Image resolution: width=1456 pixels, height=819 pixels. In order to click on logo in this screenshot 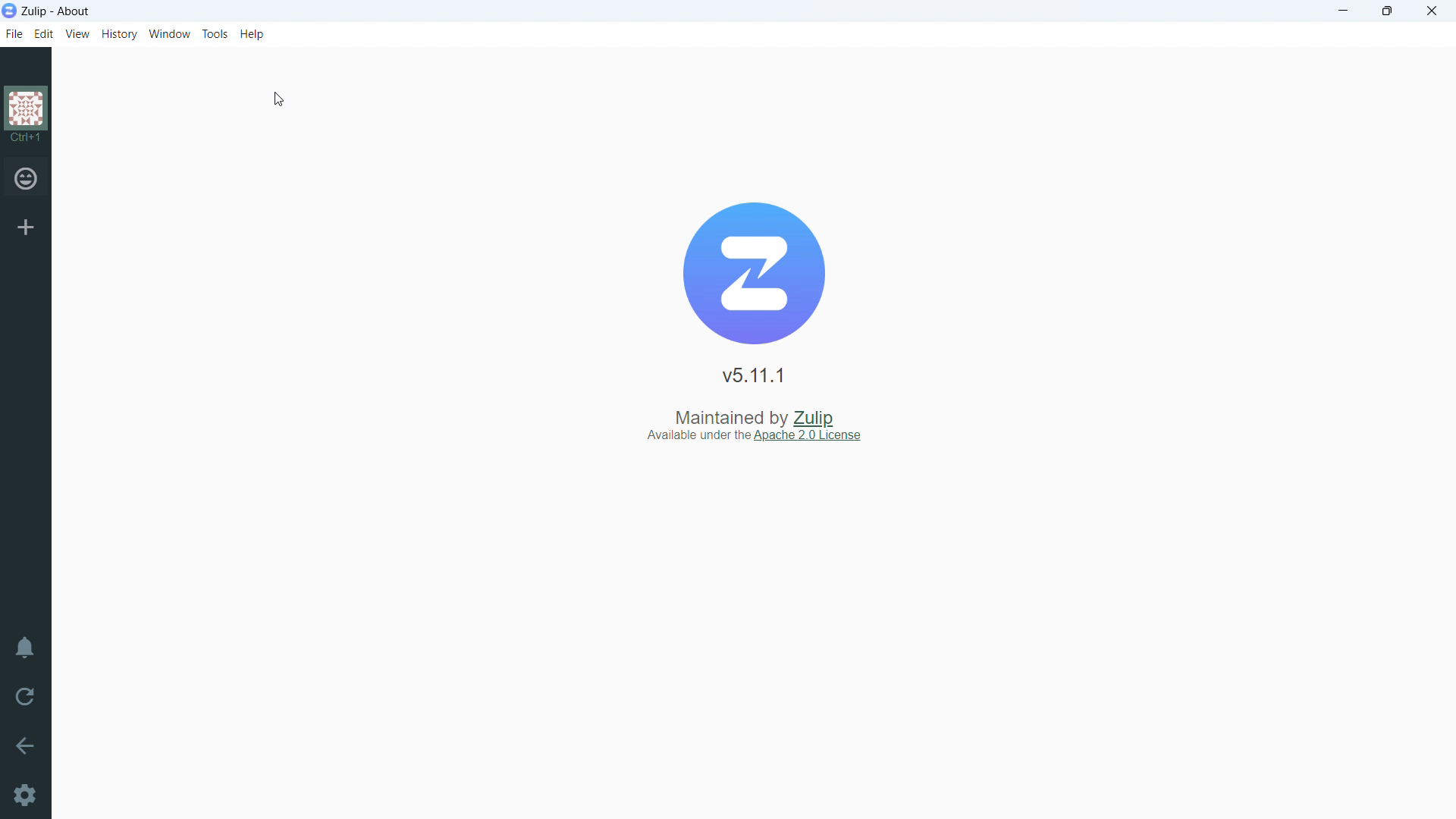, I will do `click(29, 115)`.